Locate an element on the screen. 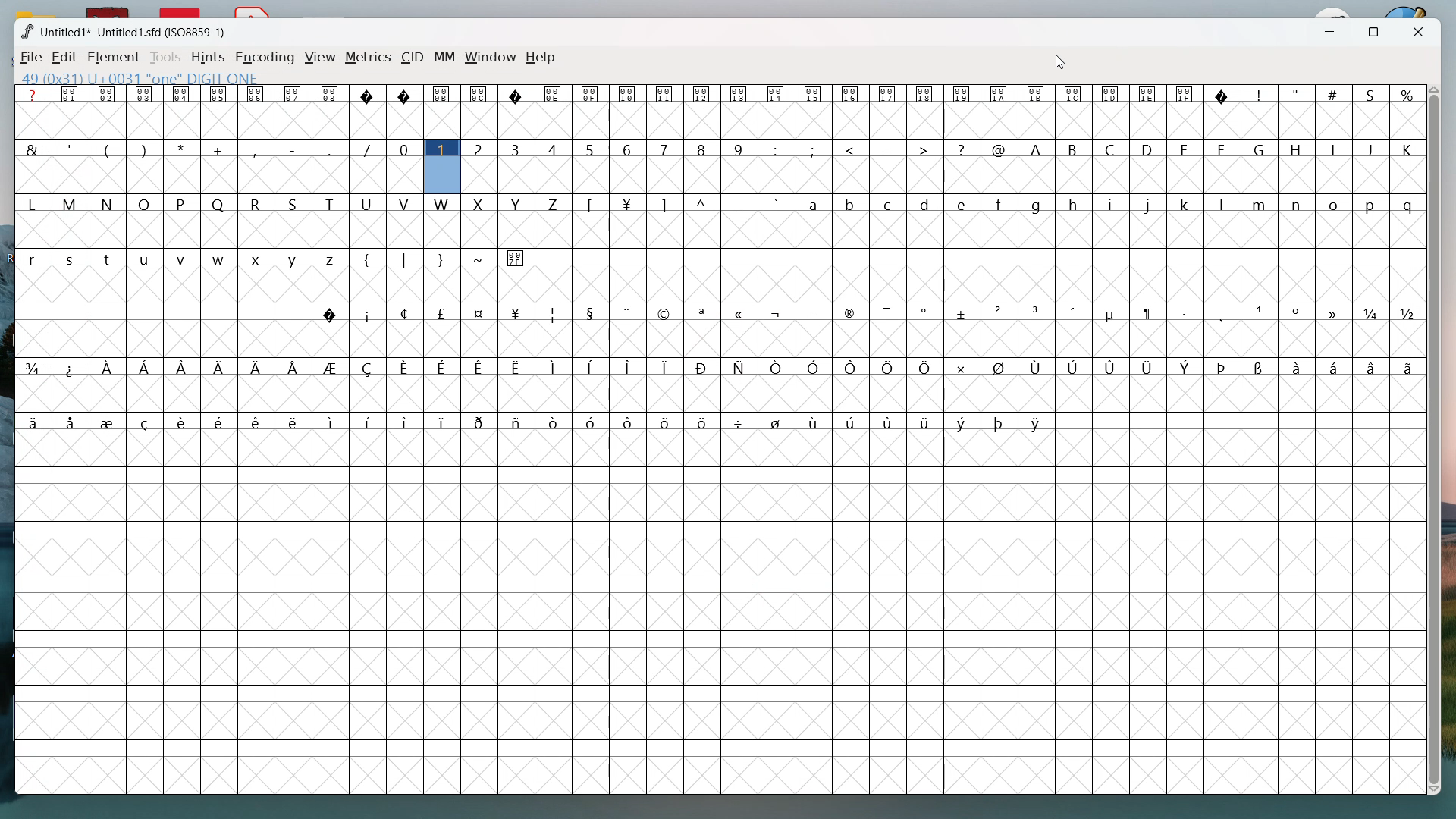  metrics is located at coordinates (369, 58).